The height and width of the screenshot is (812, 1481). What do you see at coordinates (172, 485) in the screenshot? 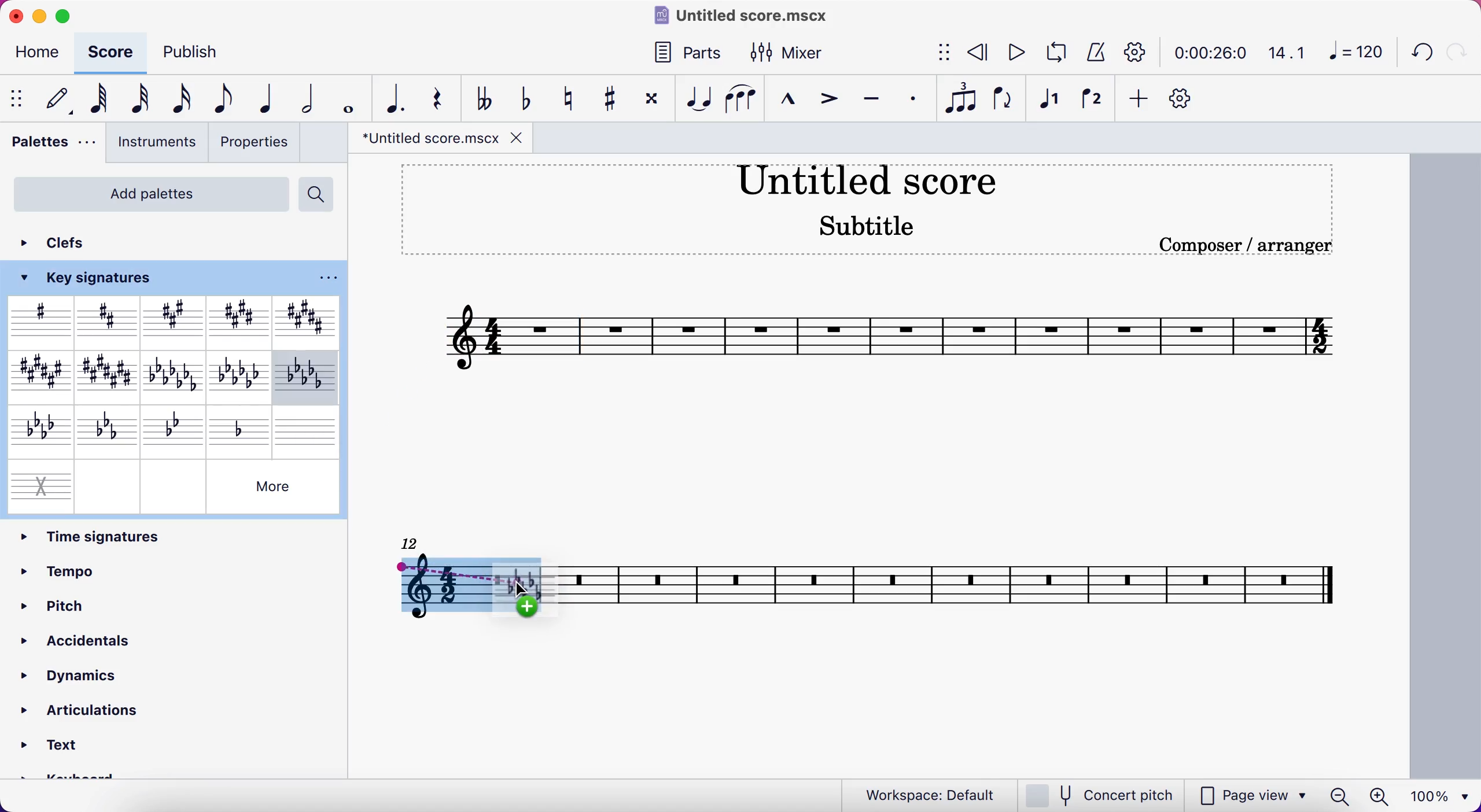
I see `empty` at bounding box center [172, 485].